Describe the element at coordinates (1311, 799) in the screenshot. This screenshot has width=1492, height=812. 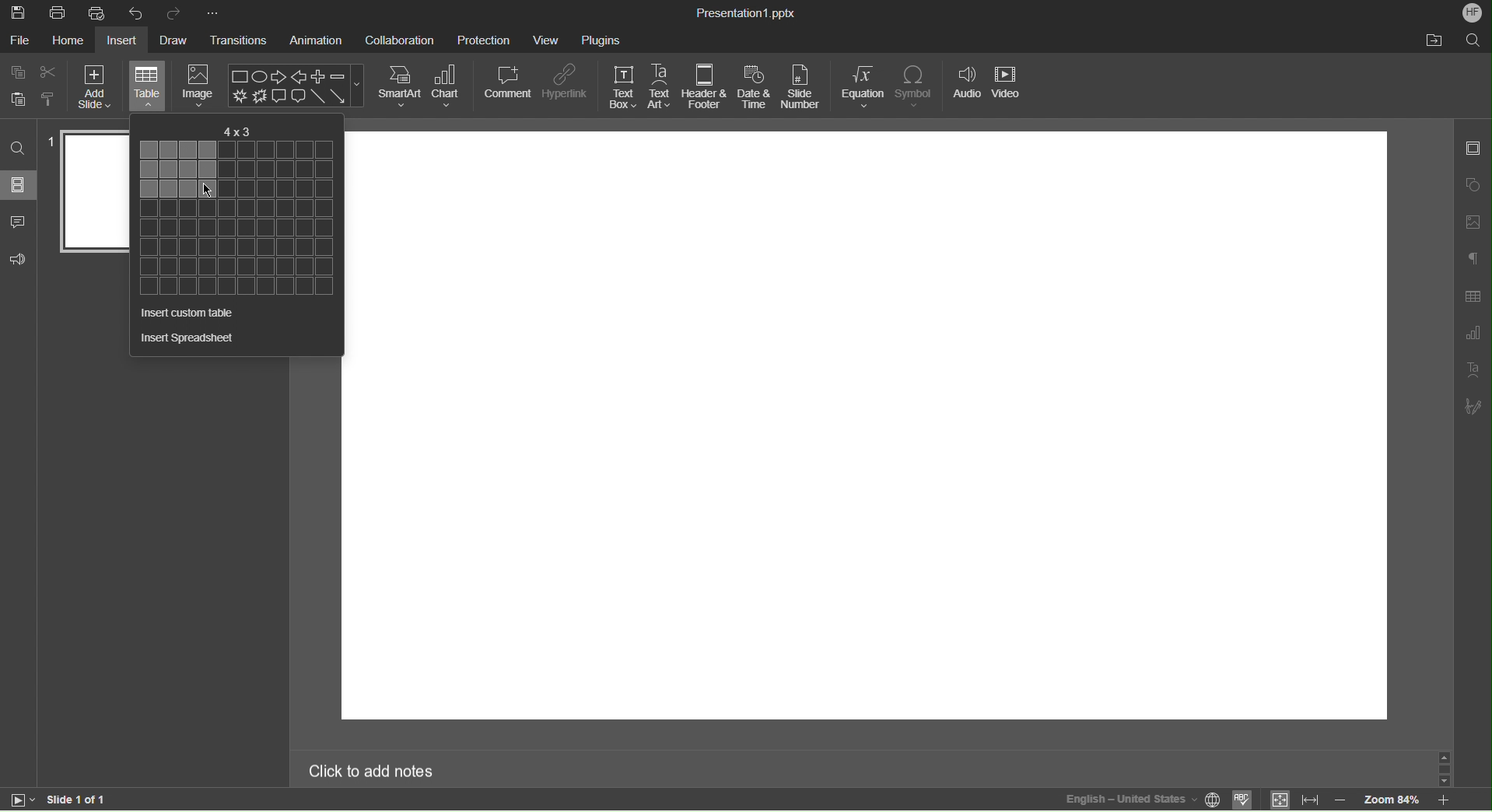
I see `fit to width` at that location.